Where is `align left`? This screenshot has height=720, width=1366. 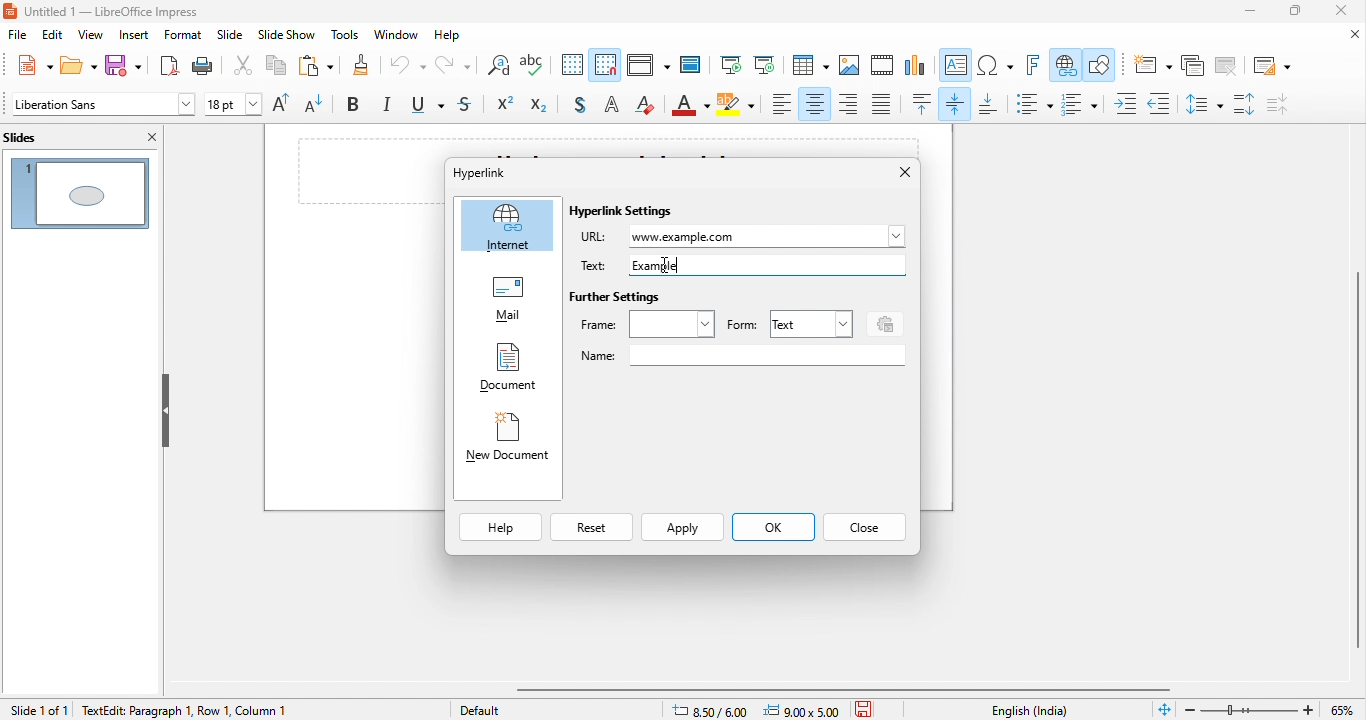 align left is located at coordinates (782, 104).